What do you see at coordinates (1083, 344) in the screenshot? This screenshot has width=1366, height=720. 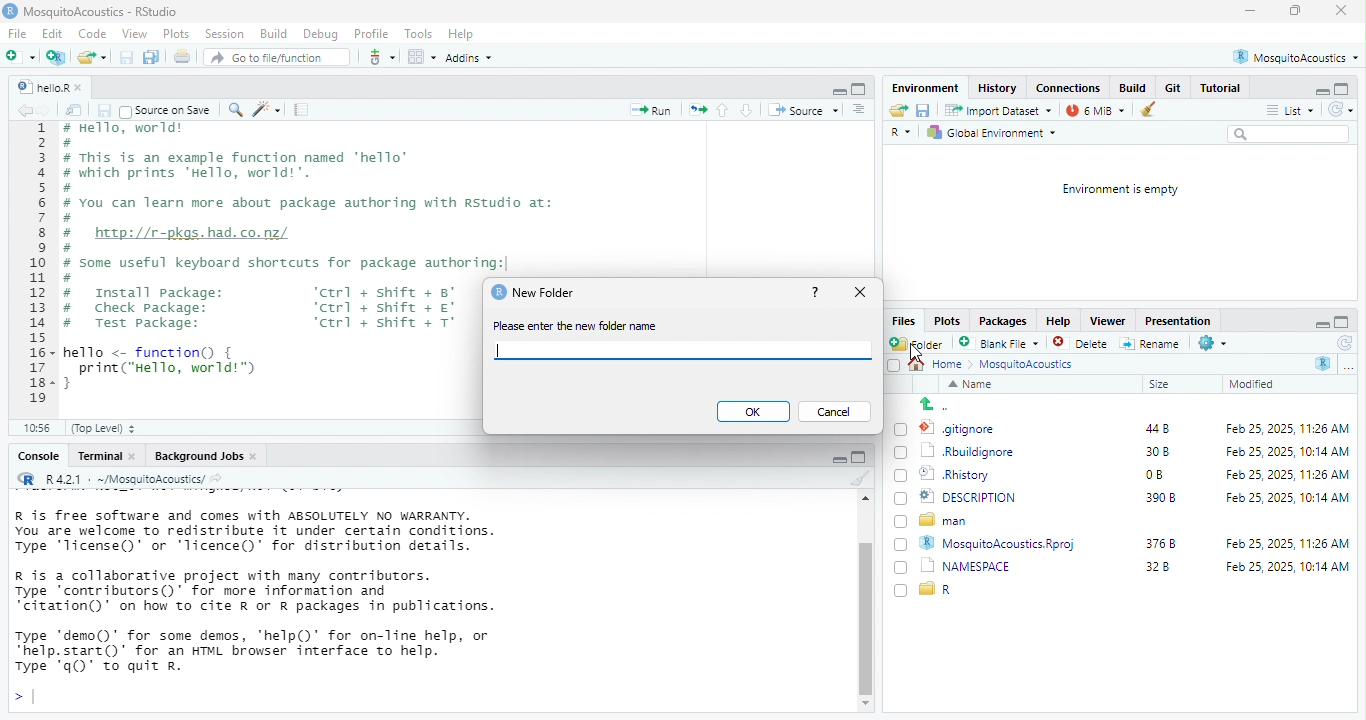 I see `delete` at bounding box center [1083, 344].